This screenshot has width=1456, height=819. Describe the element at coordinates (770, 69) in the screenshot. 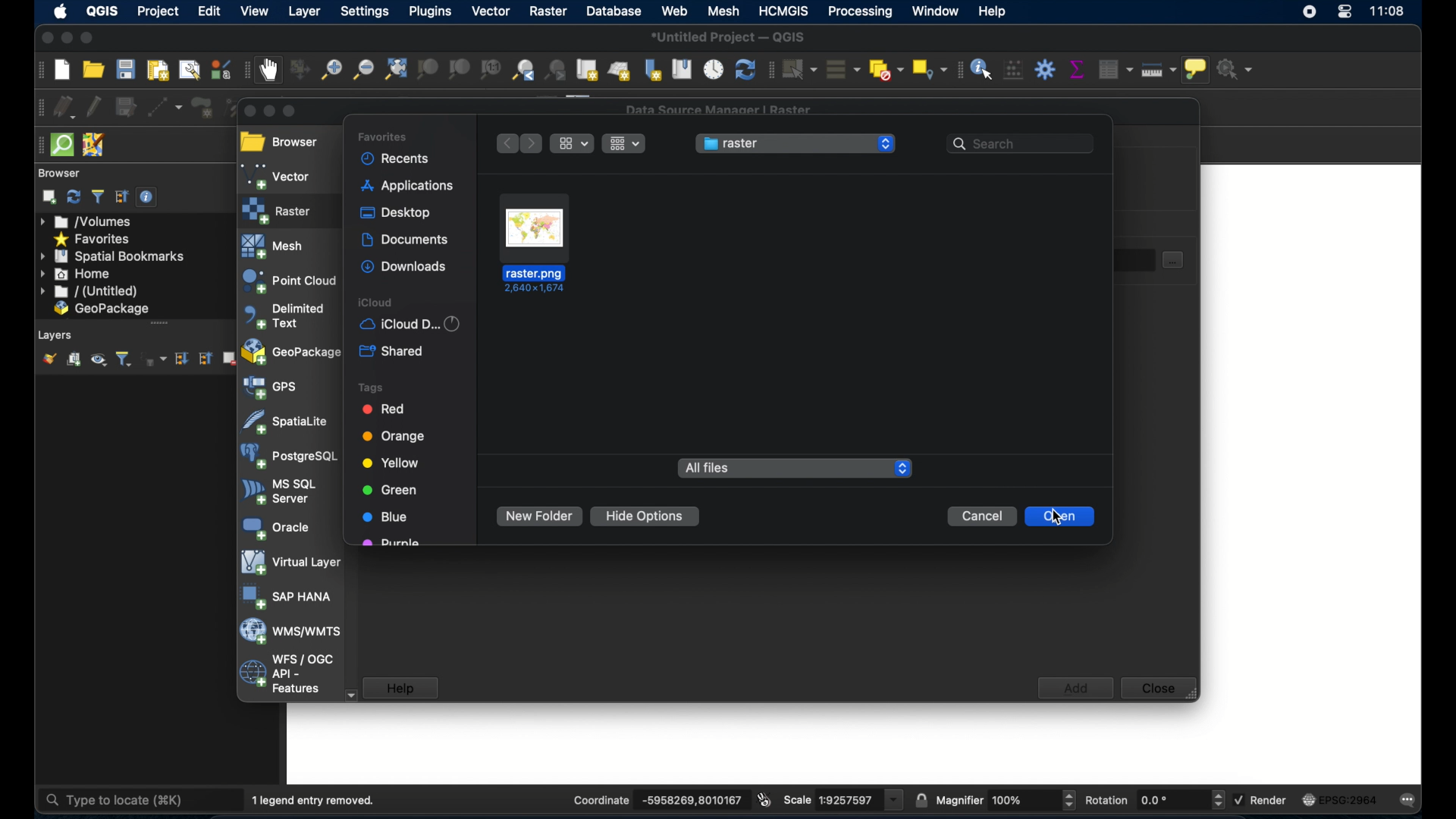

I see `selection toolbar` at that location.